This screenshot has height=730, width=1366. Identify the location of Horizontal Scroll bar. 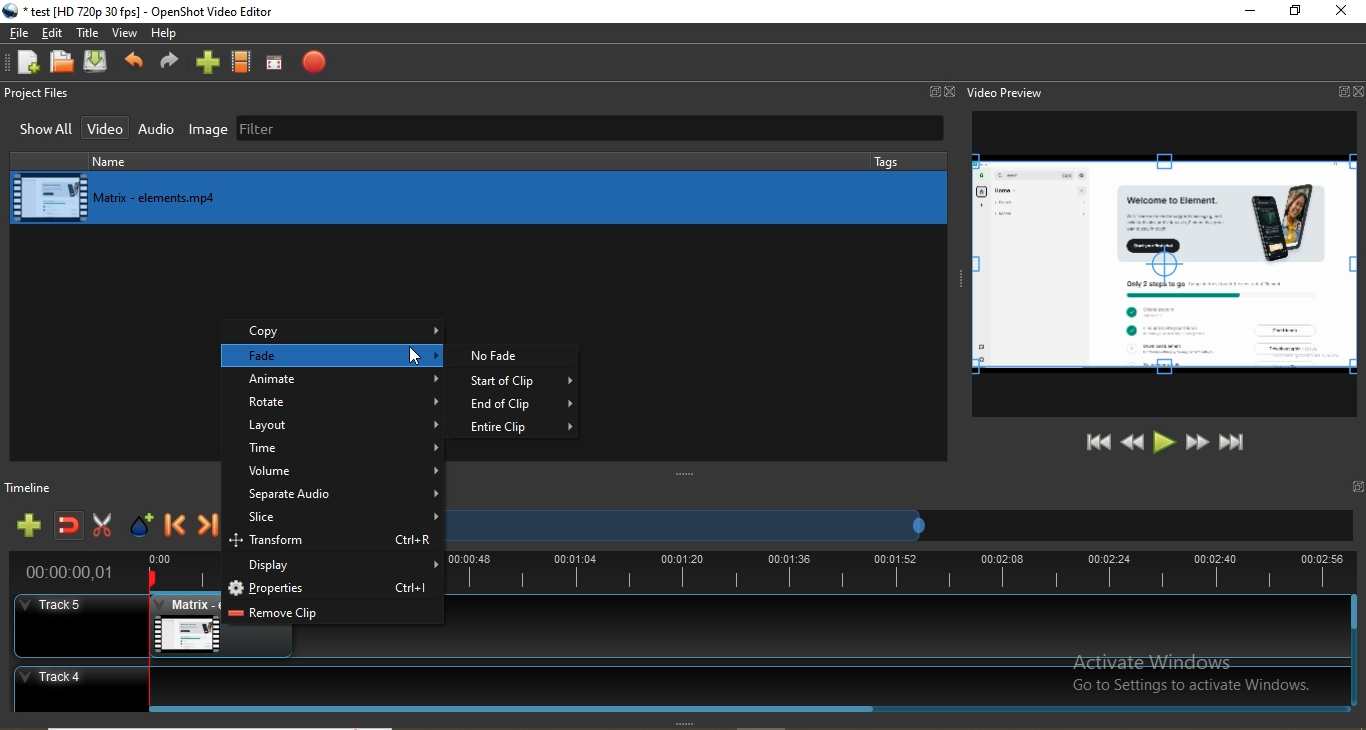
(520, 712).